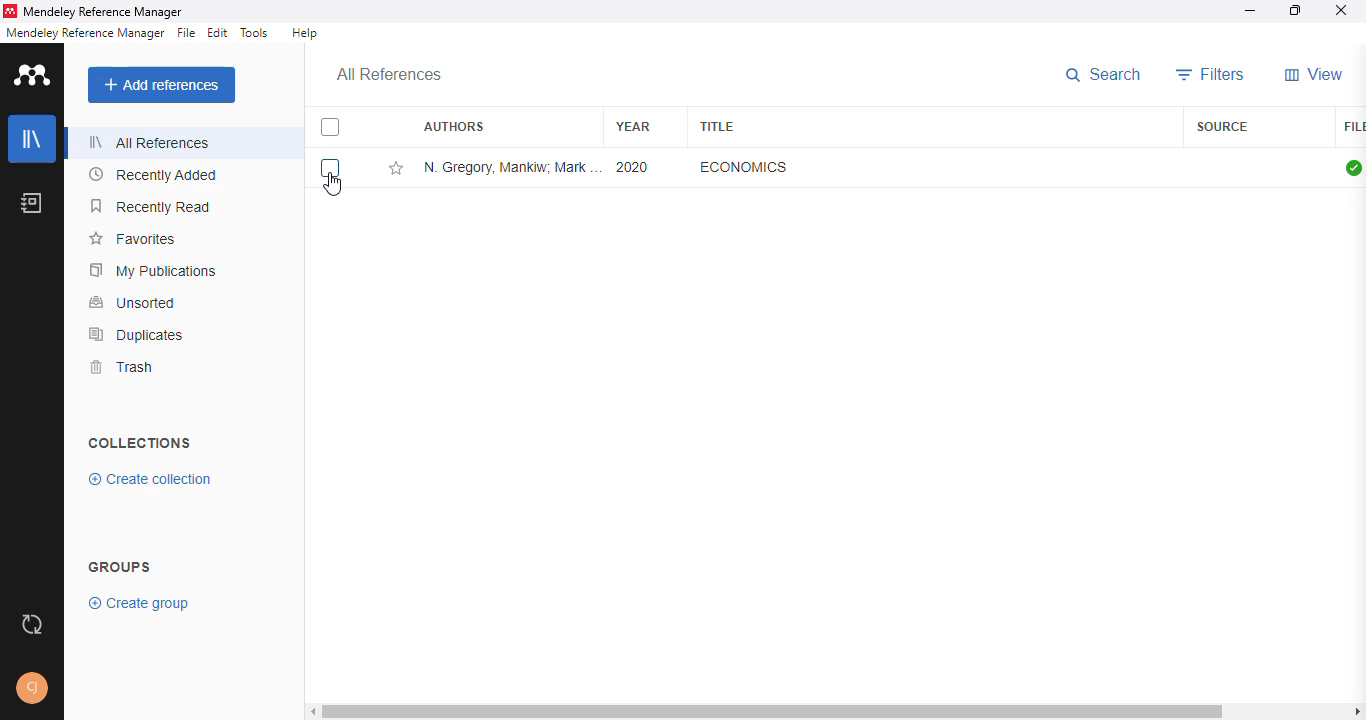 Image resolution: width=1366 pixels, height=720 pixels. What do you see at coordinates (10, 11) in the screenshot?
I see `logo` at bounding box center [10, 11].